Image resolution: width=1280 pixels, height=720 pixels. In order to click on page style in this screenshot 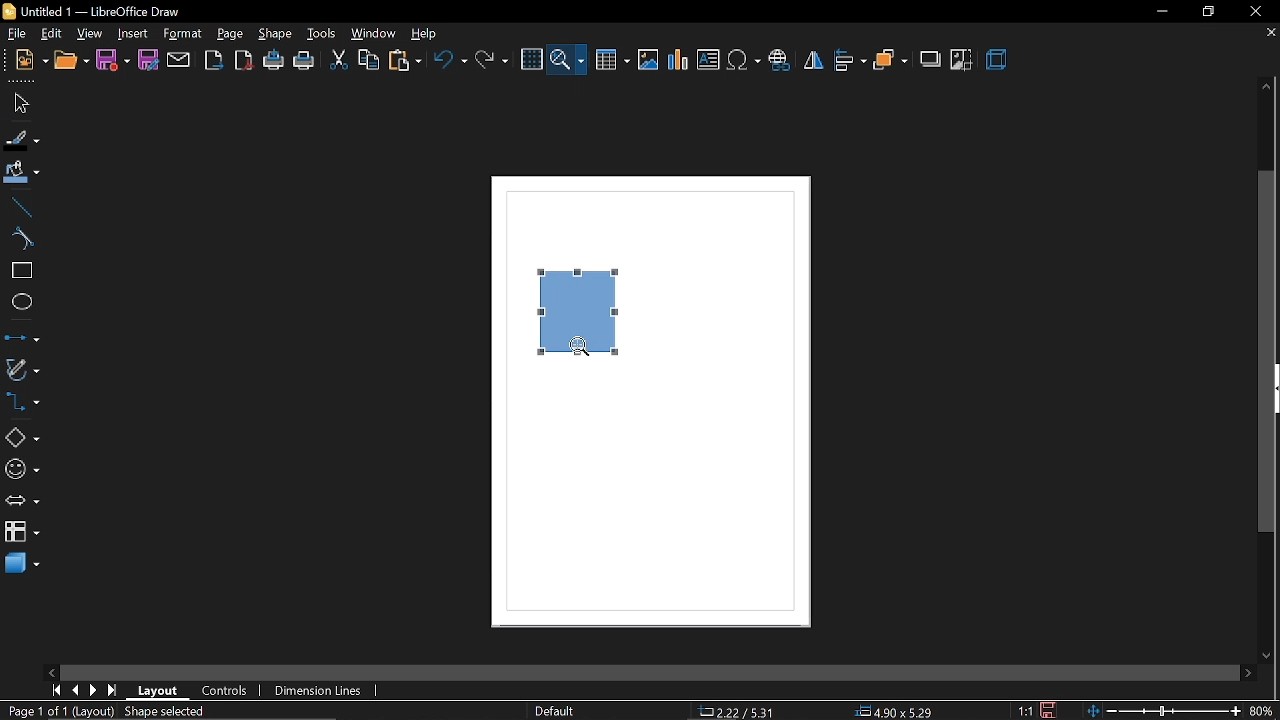, I will do `click(556, 712)`.